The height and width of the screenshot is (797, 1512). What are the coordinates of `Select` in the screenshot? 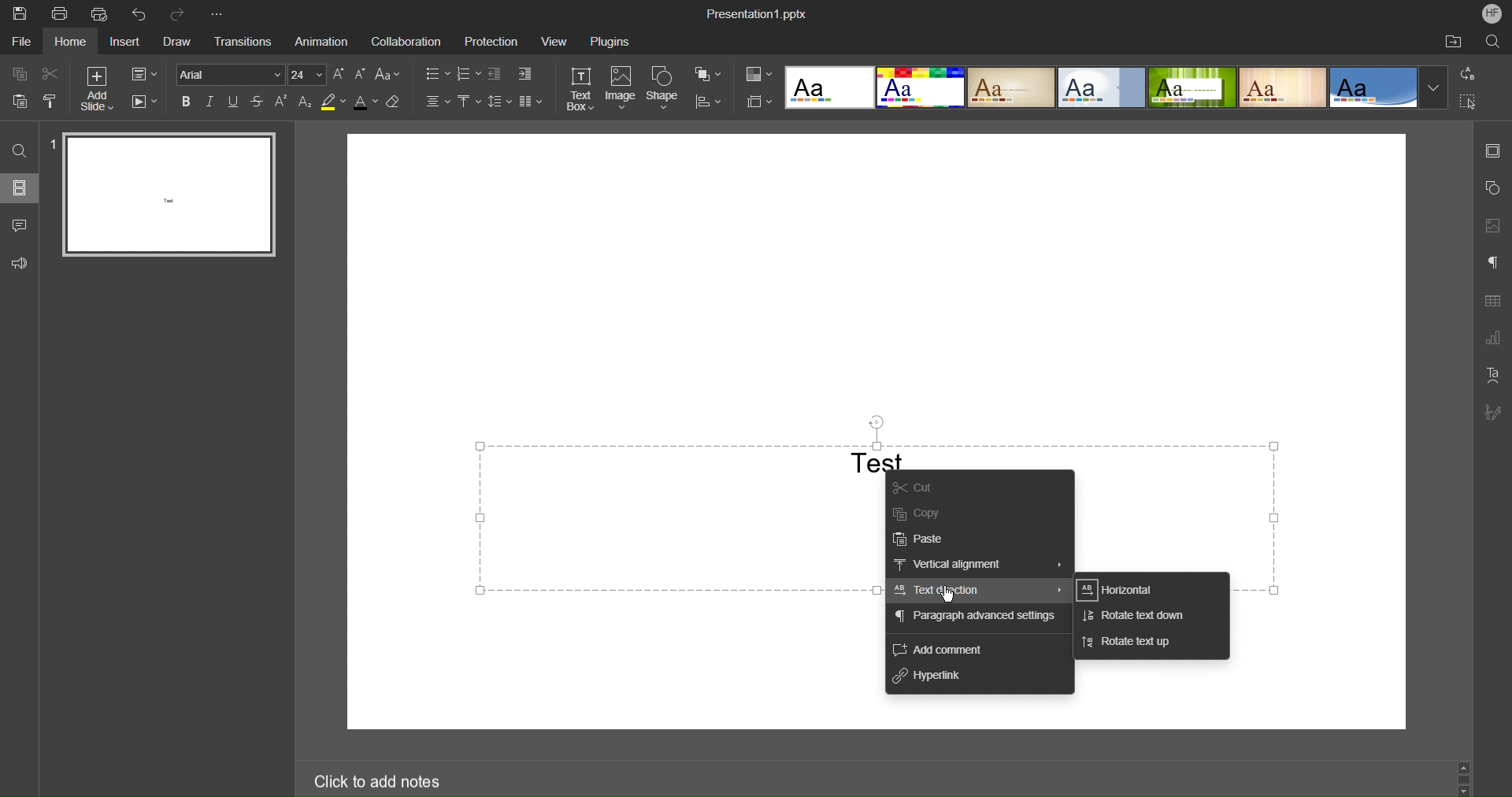 It's located at (1469, 102).